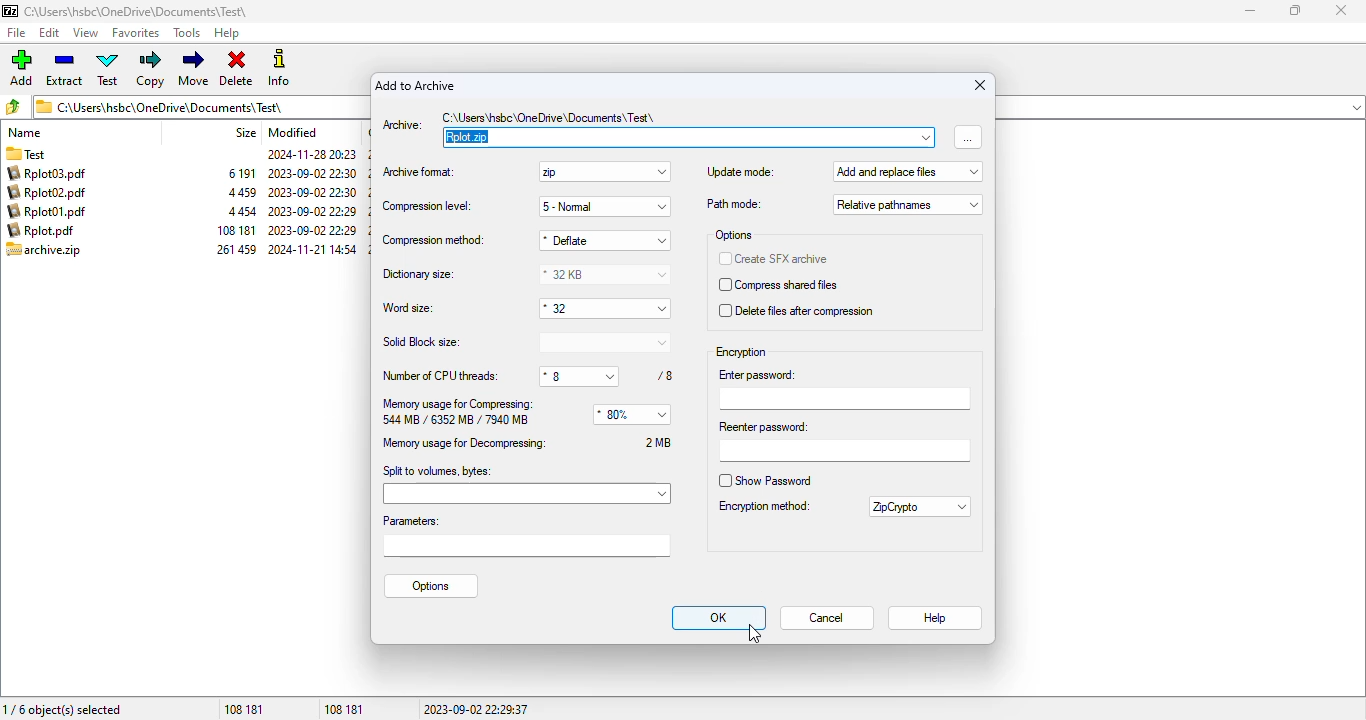 This screenshot has width=1366, height=720. Describe the element at coordinates (407, 123) in the screenshot. I see `Archive` at that location.